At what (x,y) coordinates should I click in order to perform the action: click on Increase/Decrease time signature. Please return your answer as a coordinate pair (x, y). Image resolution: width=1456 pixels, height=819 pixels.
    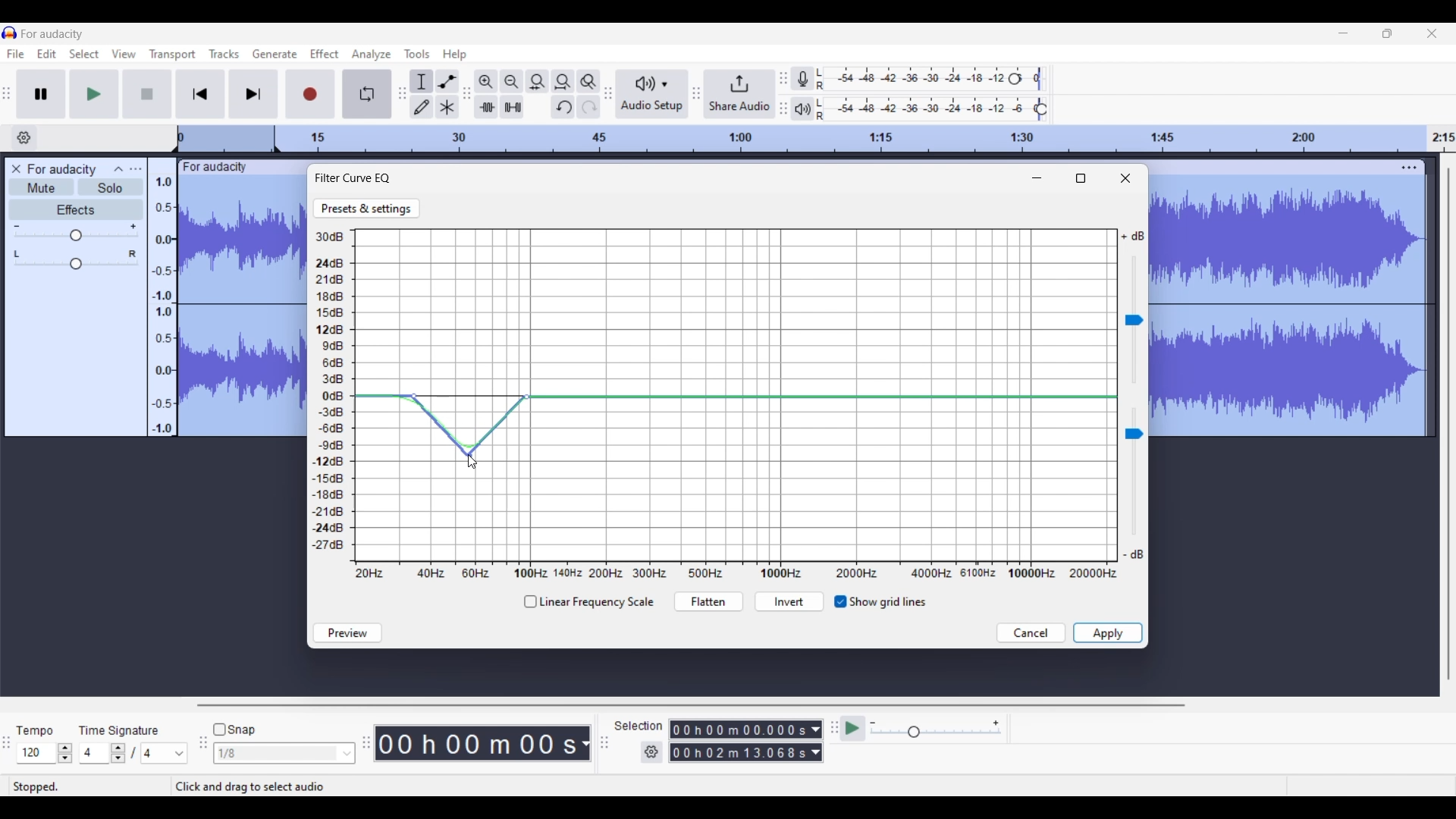
    Looking at the image, I should click on (118, 753).